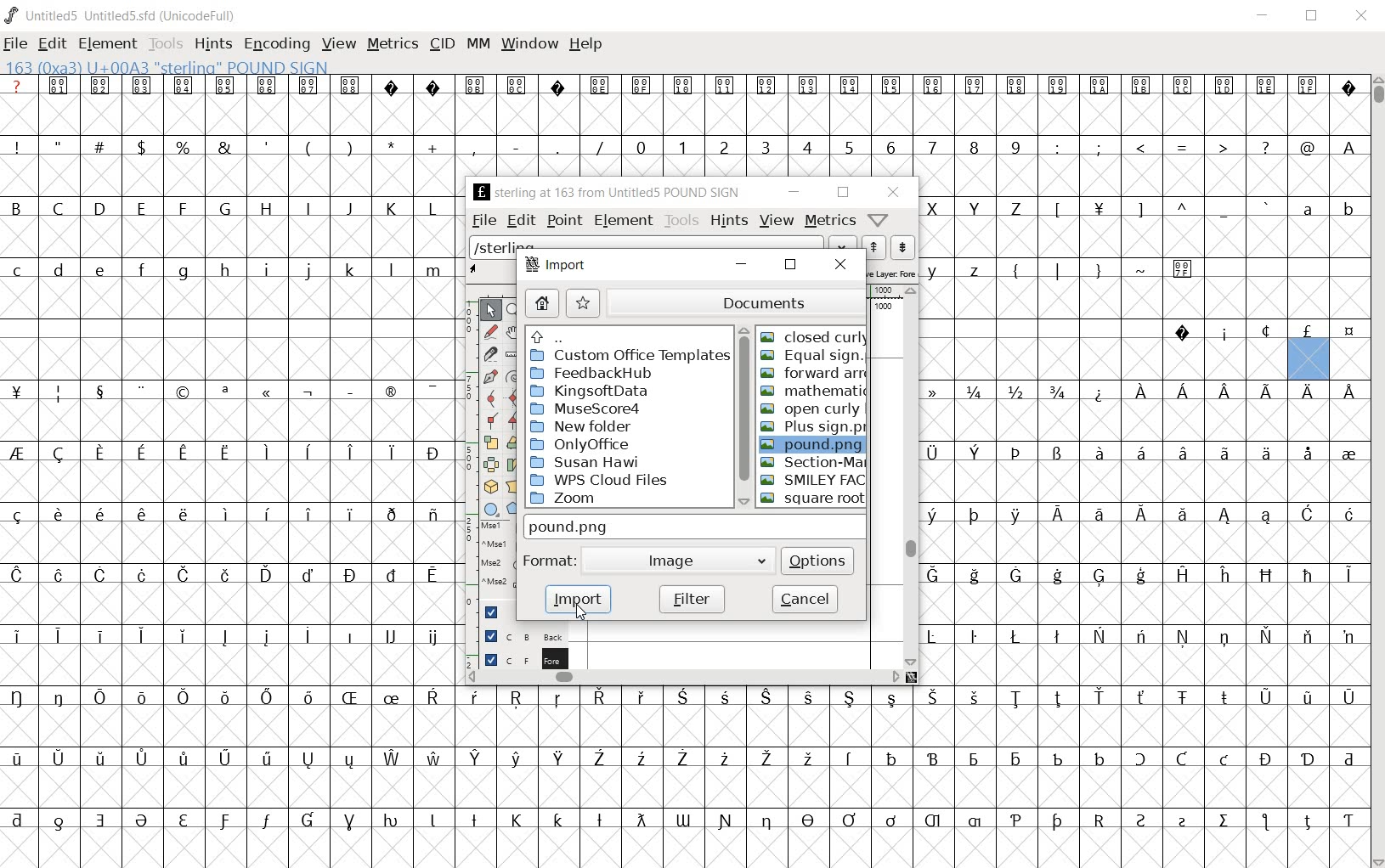 This screenshot has width=1385, height=868. I want to click on H, so click(267, 209).